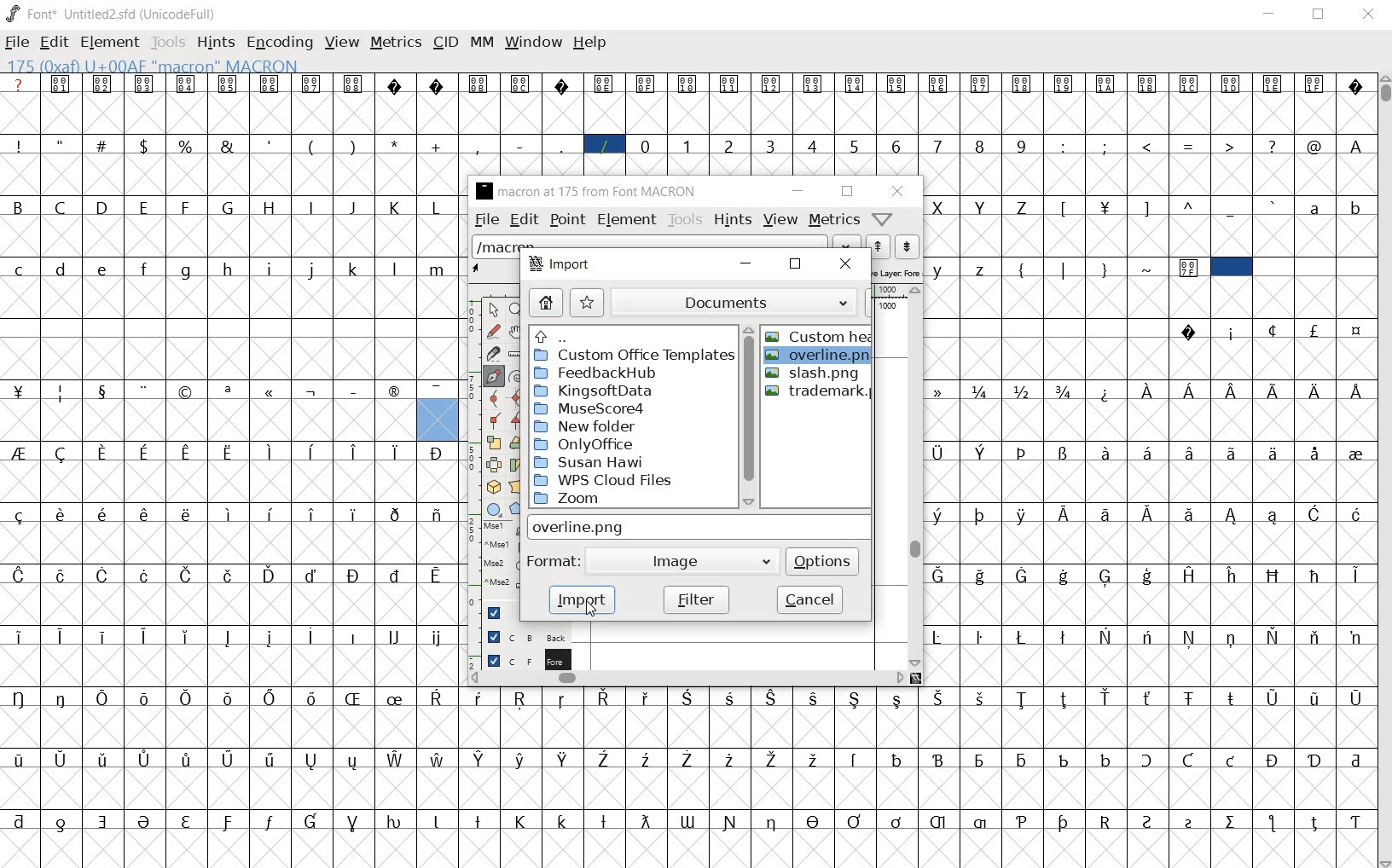  What do you see at coordinates (1106, 758) in the screenshot?
I see `Symbol` at bounding box center [1106, 758].